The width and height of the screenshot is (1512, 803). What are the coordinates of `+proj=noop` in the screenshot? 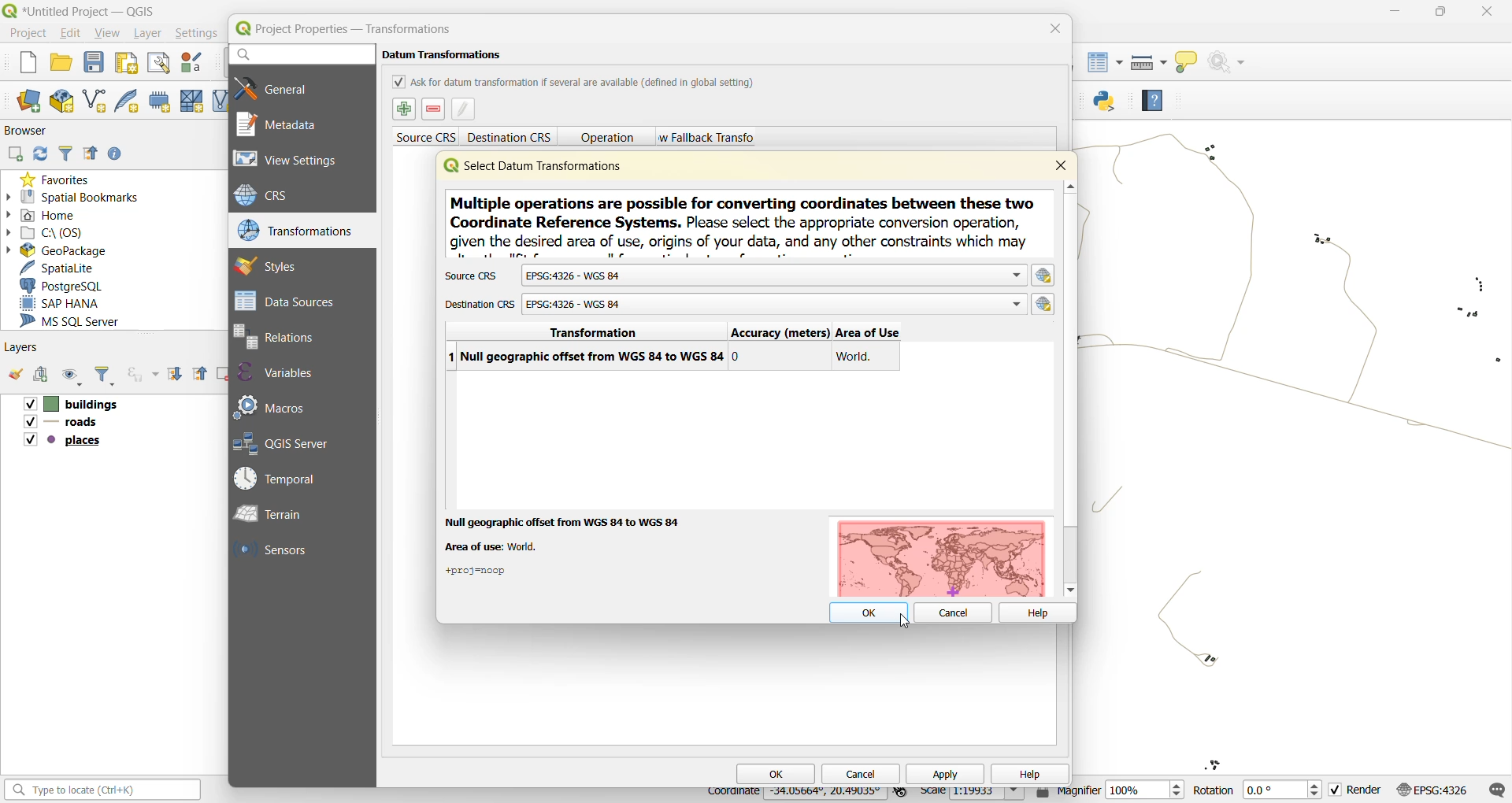 It's located at (475, 572).